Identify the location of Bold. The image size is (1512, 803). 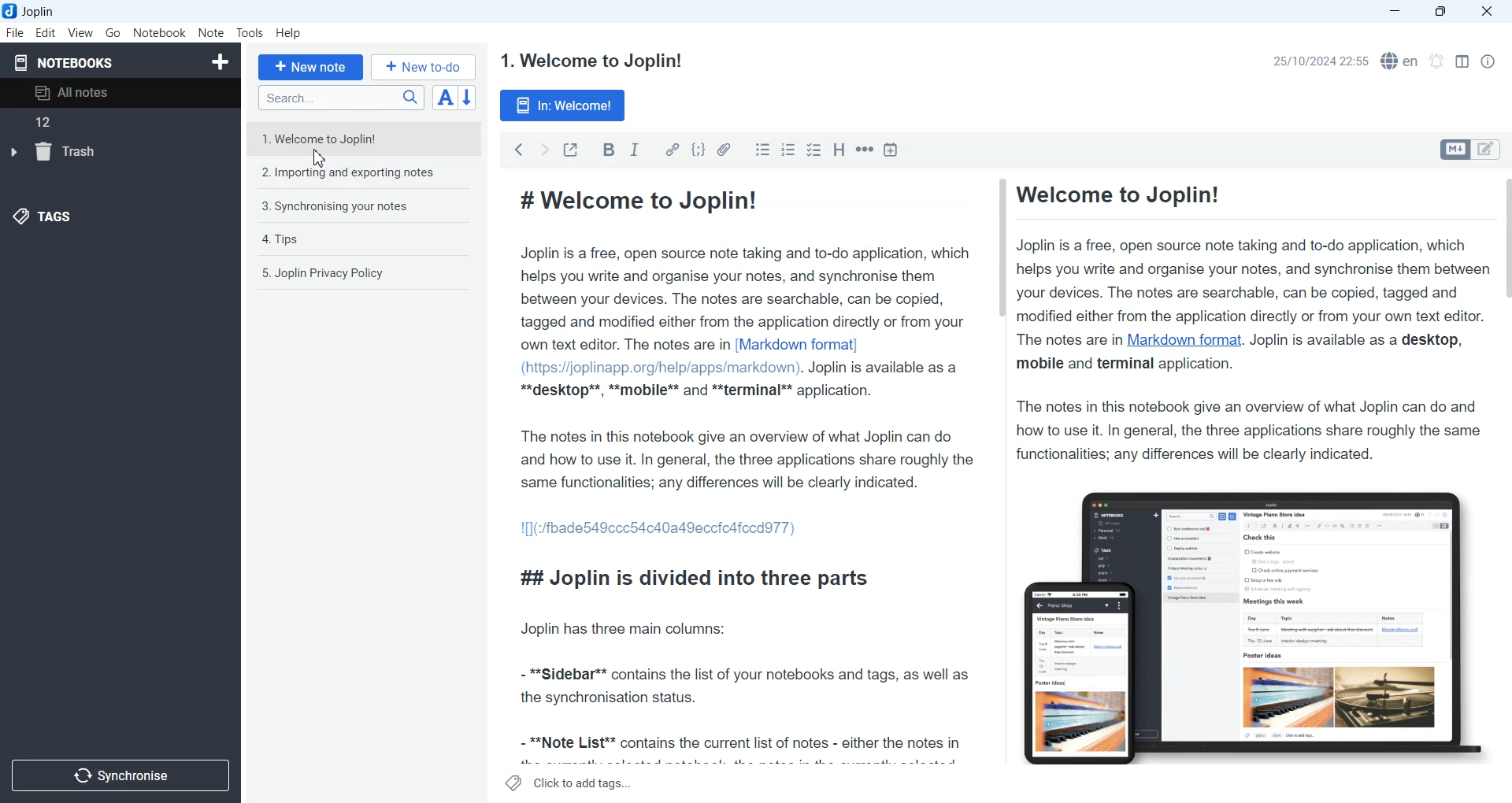
(609, 150).